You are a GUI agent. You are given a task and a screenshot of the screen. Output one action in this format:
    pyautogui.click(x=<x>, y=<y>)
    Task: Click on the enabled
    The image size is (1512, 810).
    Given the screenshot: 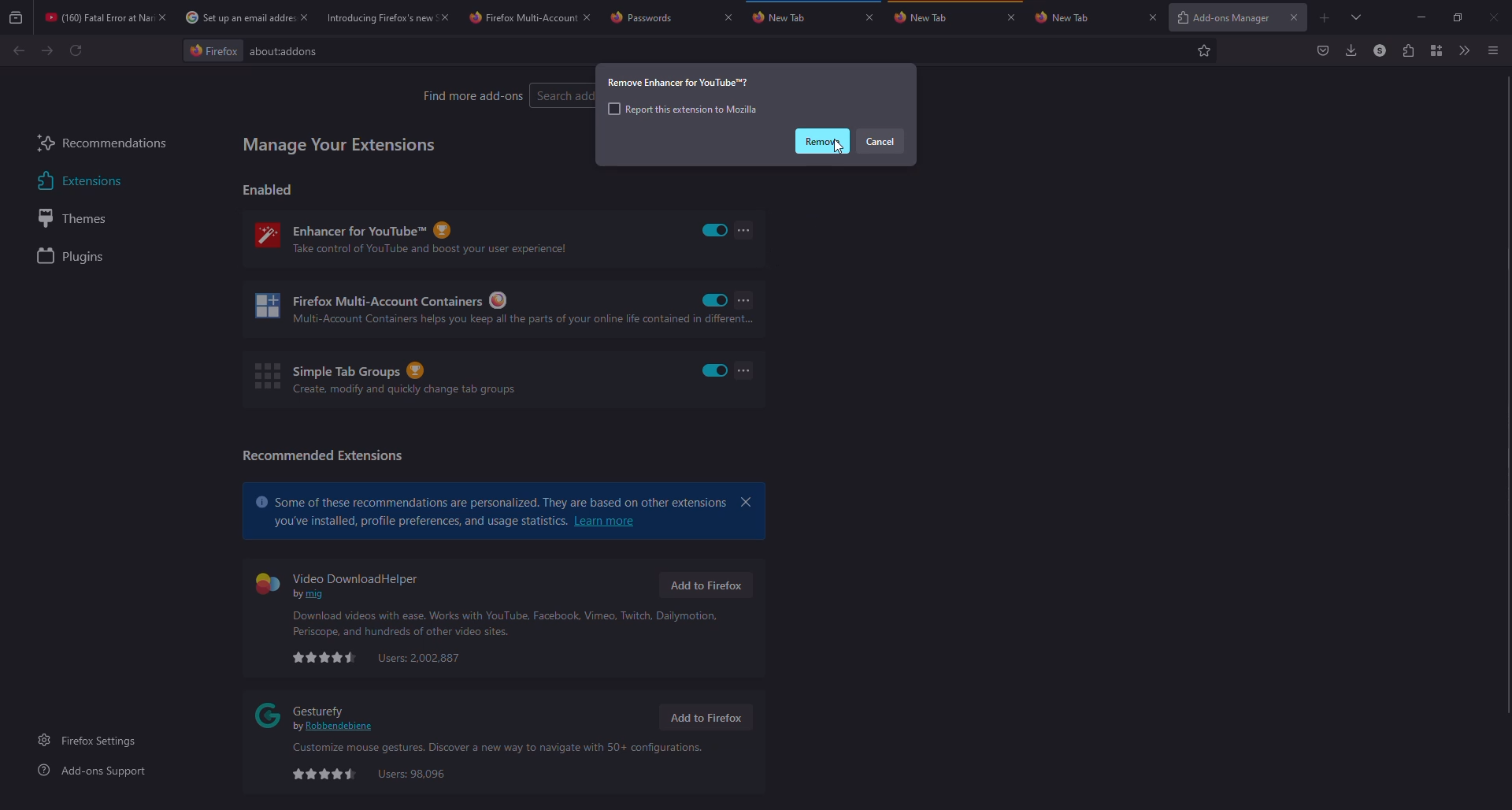 What is the action you would take?
    pyautogui.click(x=715, y=300)
    